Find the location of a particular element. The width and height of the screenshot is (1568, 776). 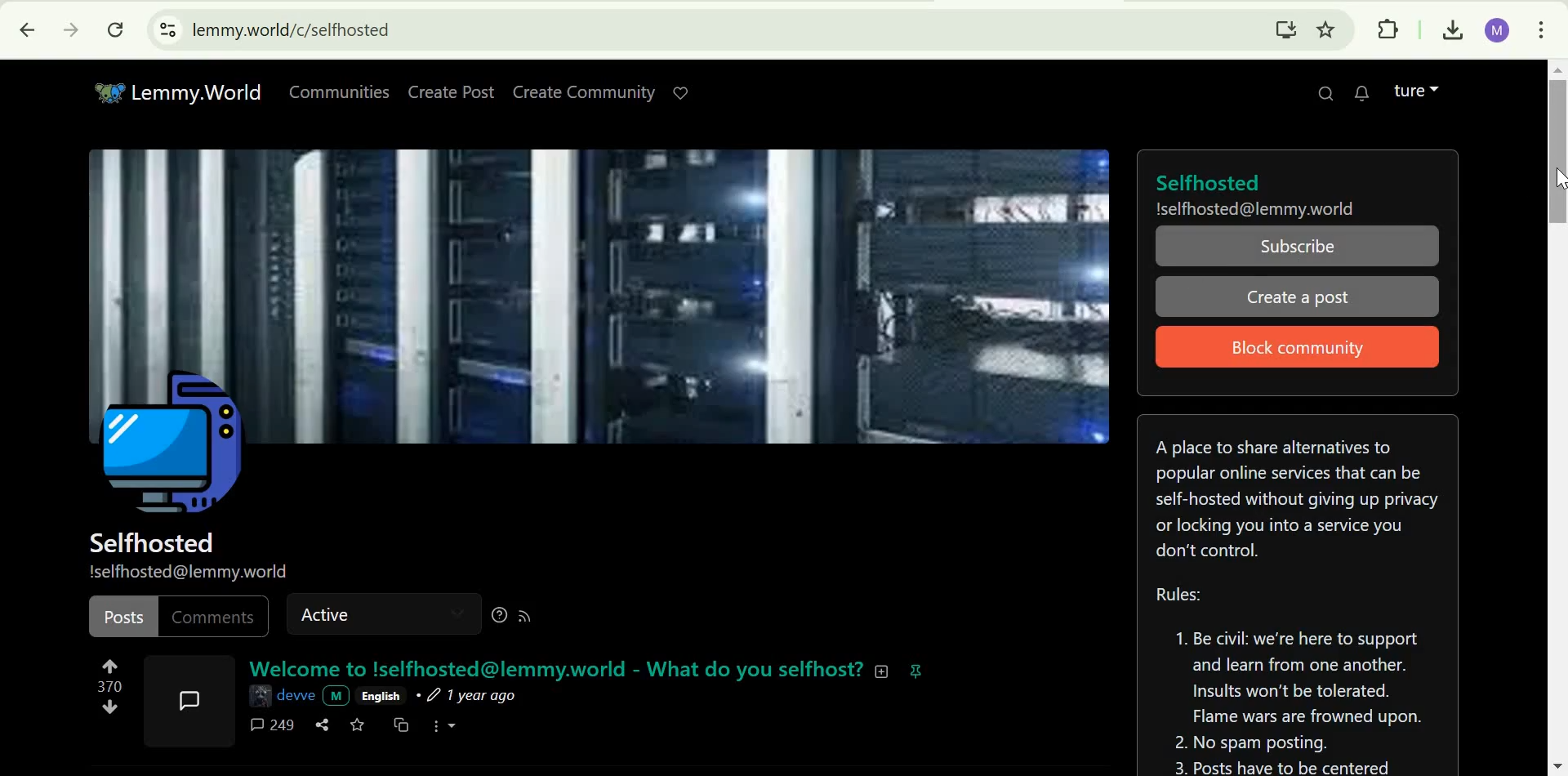

downvote is located at coordinates (110, 707).